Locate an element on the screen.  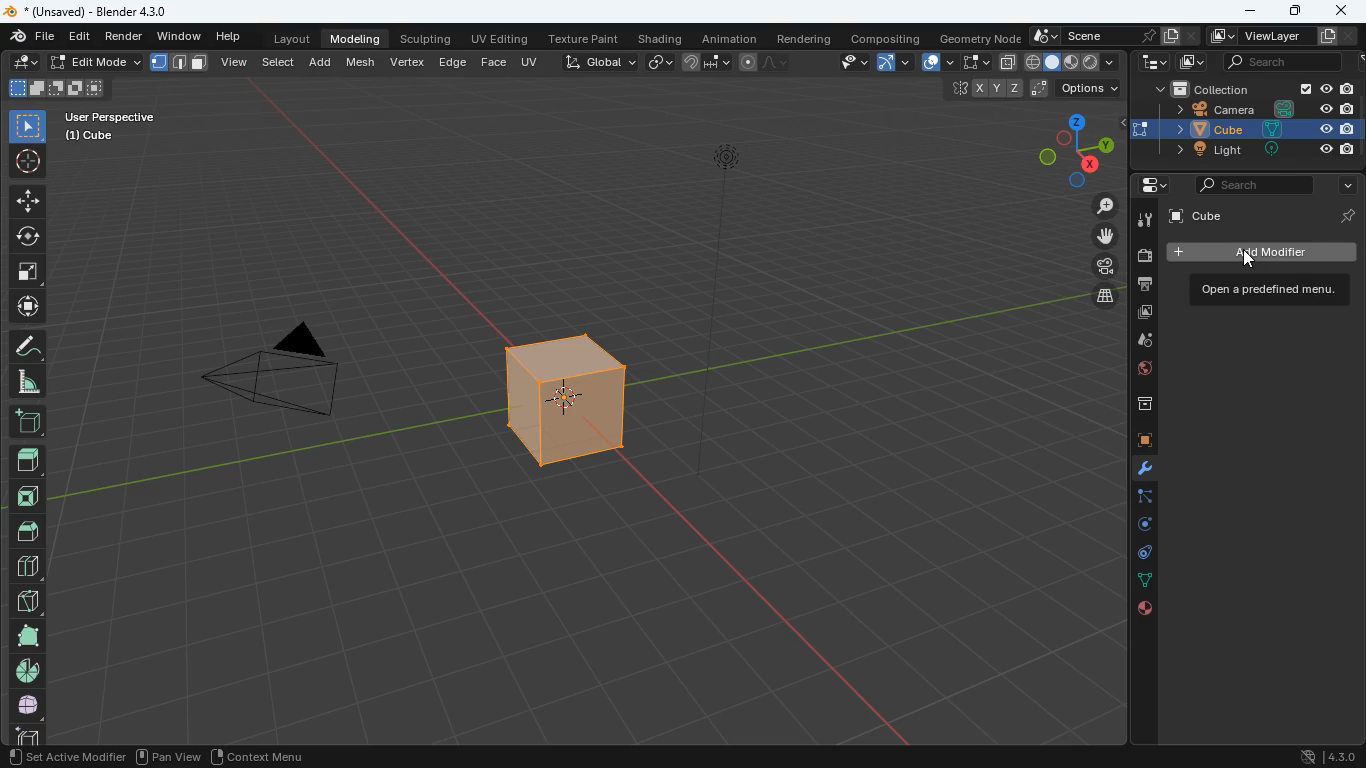
light is located at coordinates (1257, 151).